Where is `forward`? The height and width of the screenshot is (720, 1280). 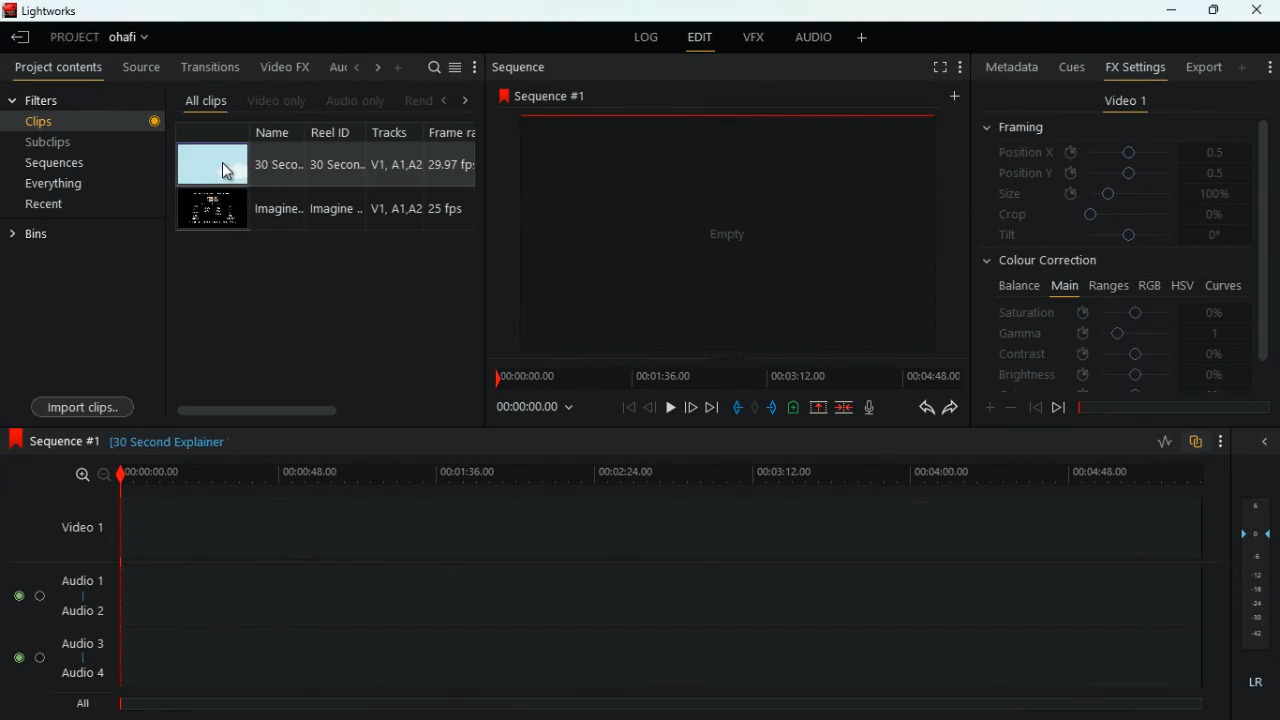
forward is located at coordinates (1058, 410).